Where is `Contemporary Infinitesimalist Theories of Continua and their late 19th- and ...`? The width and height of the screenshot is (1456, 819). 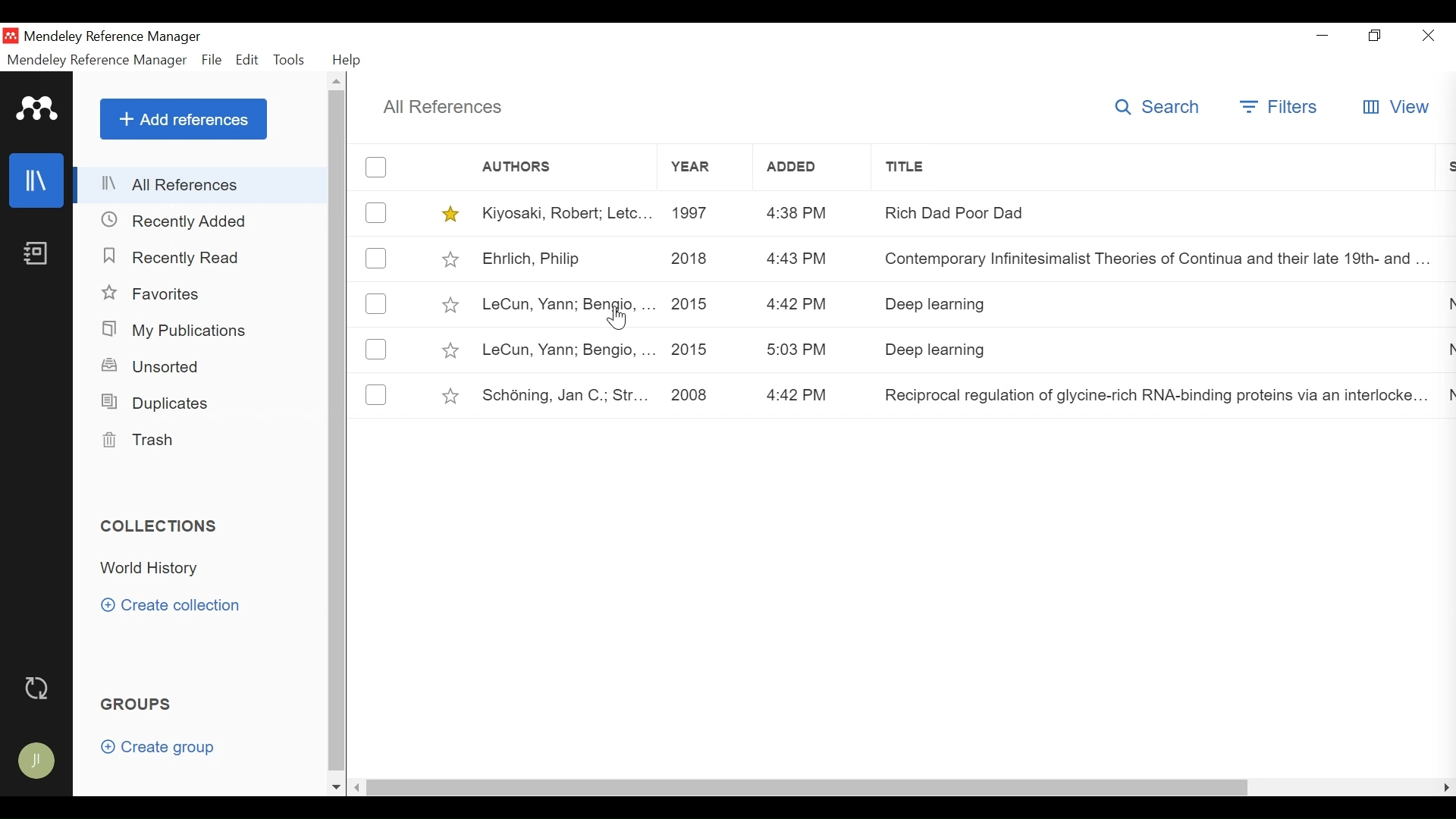
Contemporary Infinitesimalist Theories of Continua and their late 19th- and ... is located at coordinates (1147, 260).